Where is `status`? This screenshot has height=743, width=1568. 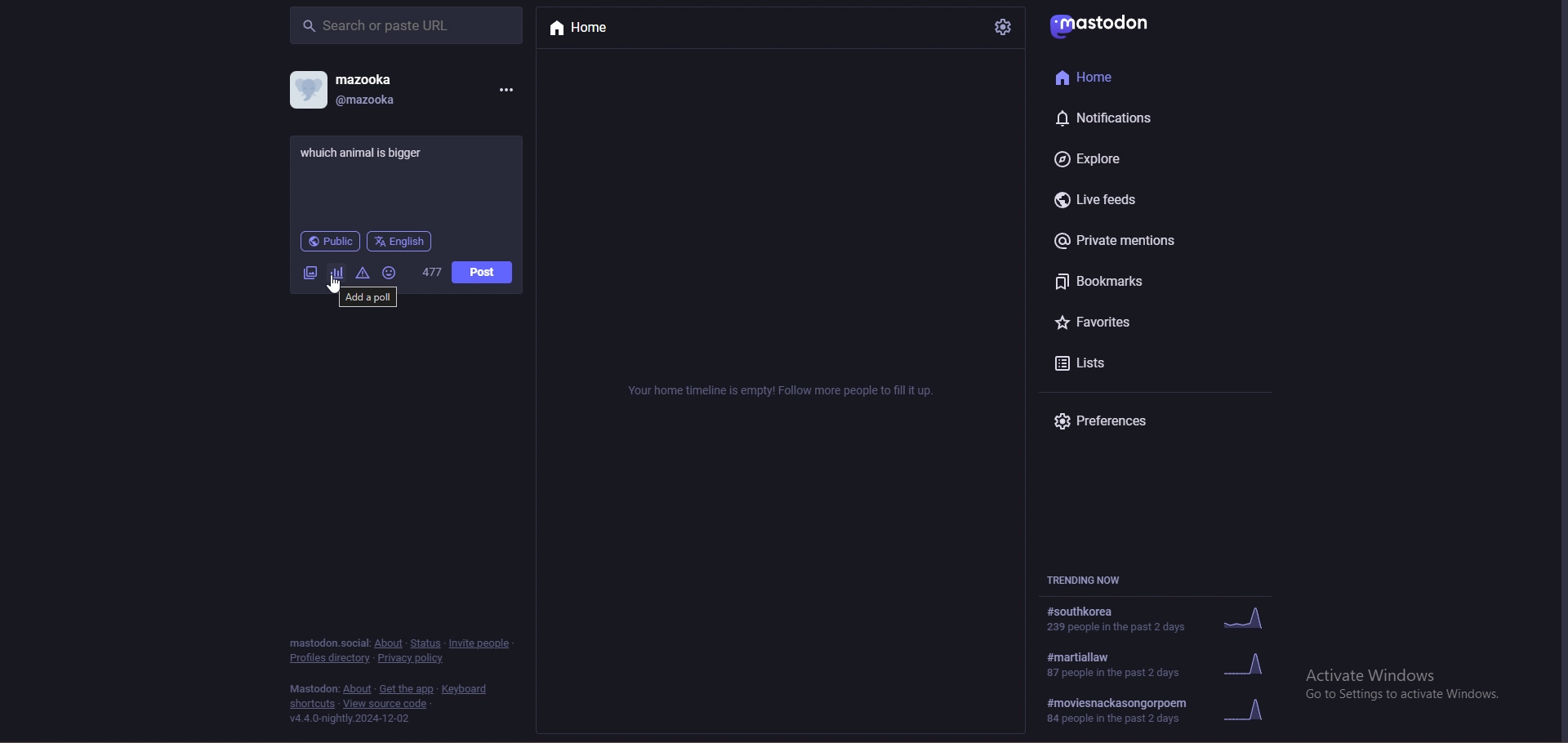
status is located at coordinates (426, 643).